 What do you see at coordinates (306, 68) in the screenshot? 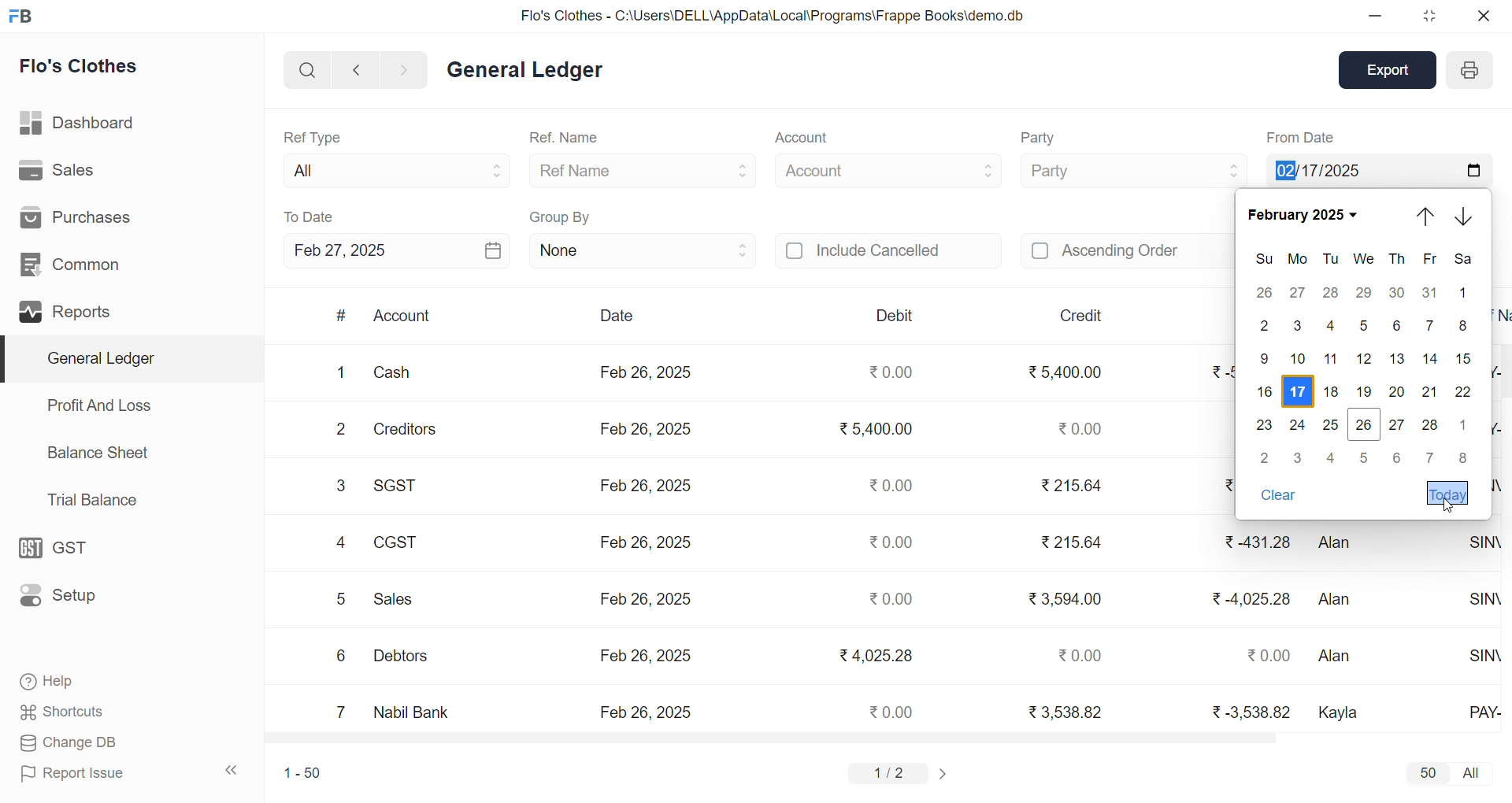
I see `SEARCH` at bounding box center [306, 68].